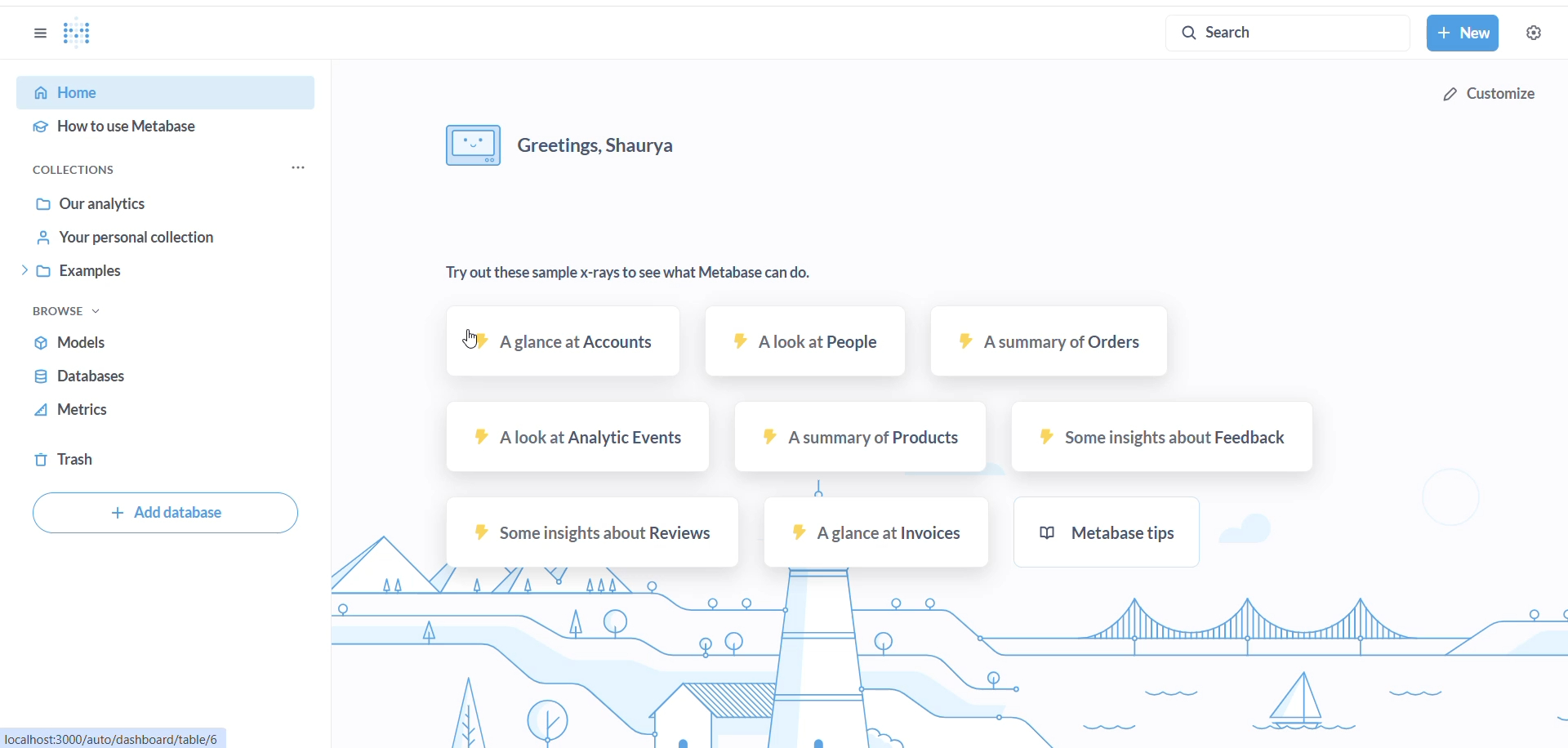 The width and height of the screenshot is (1568, 748). I want to click on examples, so click(173, 278).